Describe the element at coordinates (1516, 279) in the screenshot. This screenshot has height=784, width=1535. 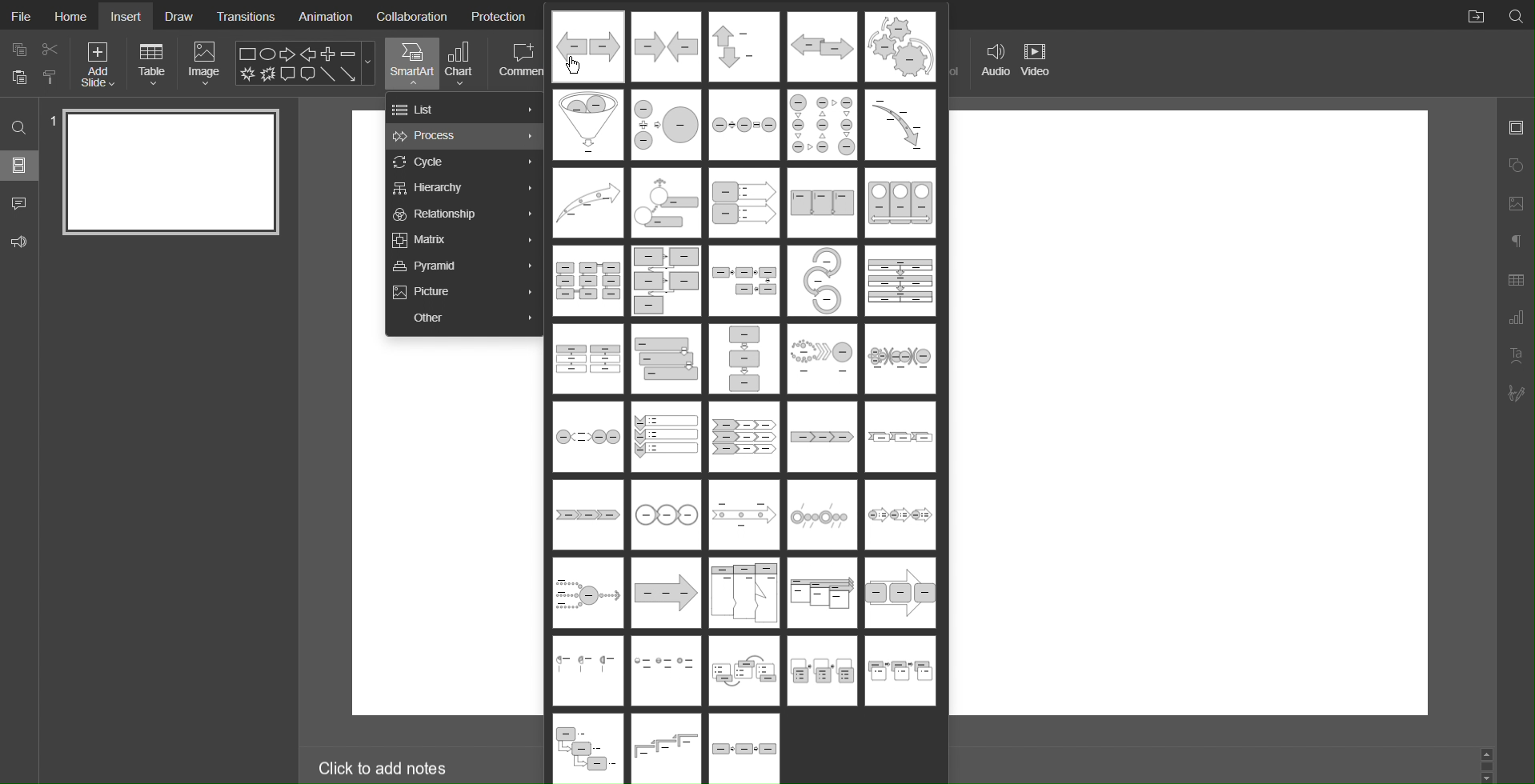
I see `Table Settings` at that location.